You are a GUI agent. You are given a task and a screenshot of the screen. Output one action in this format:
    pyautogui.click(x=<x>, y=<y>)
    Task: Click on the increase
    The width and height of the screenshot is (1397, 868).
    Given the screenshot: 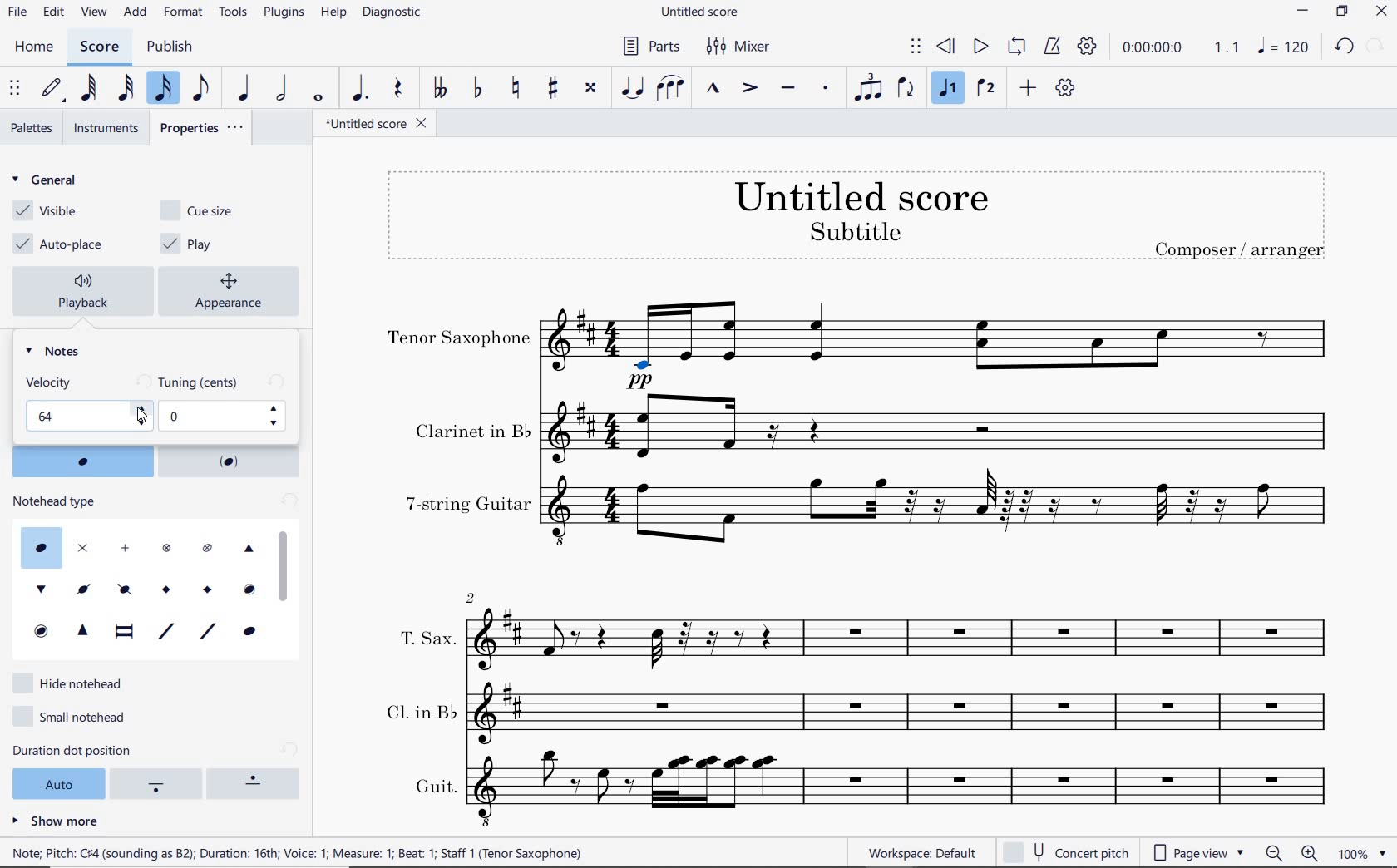 What is the action you would take?
    pyautogui.click(x=277, y=409)
    